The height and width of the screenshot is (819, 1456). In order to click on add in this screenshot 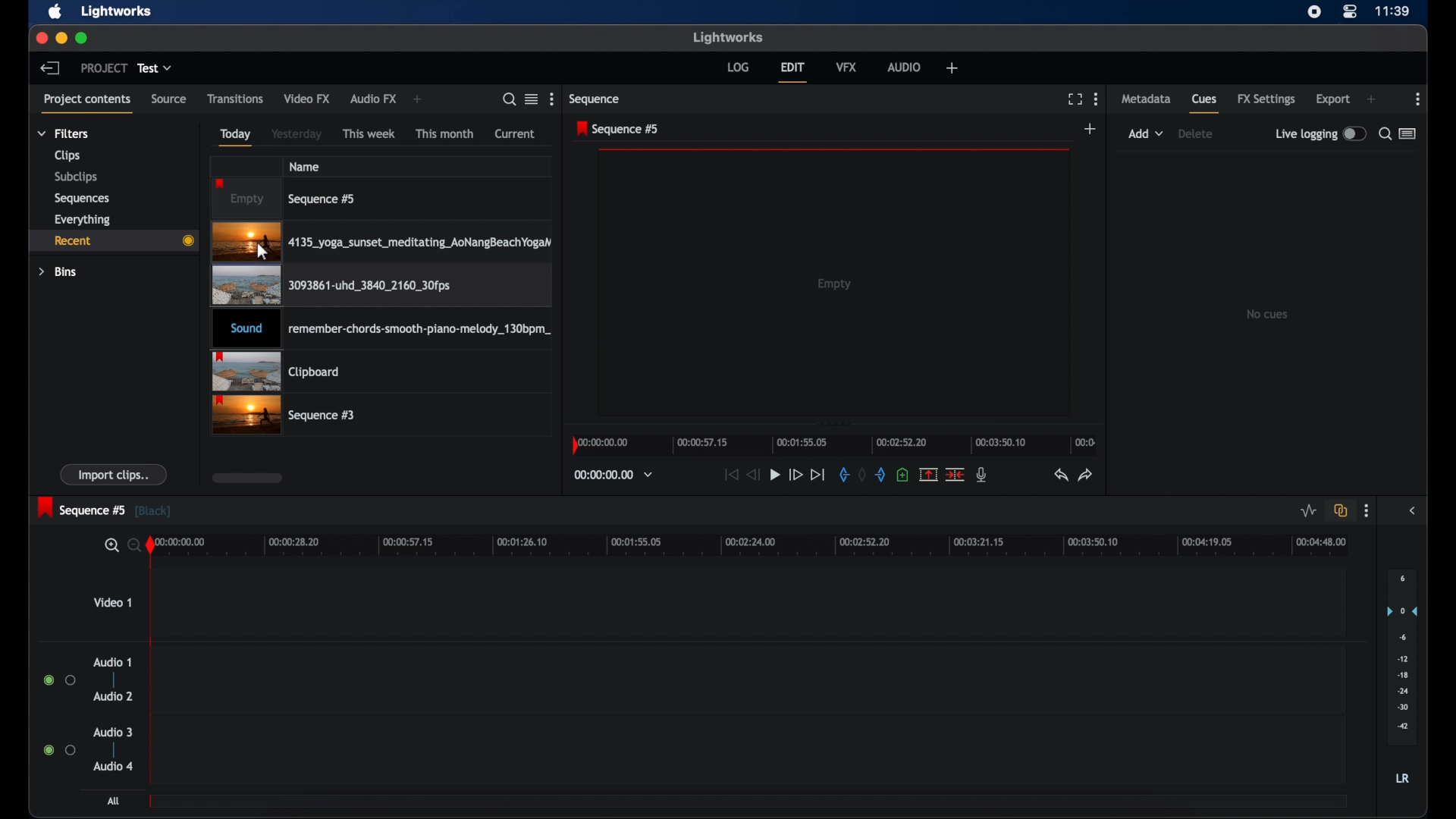, I will do `click(1092, 128)`.